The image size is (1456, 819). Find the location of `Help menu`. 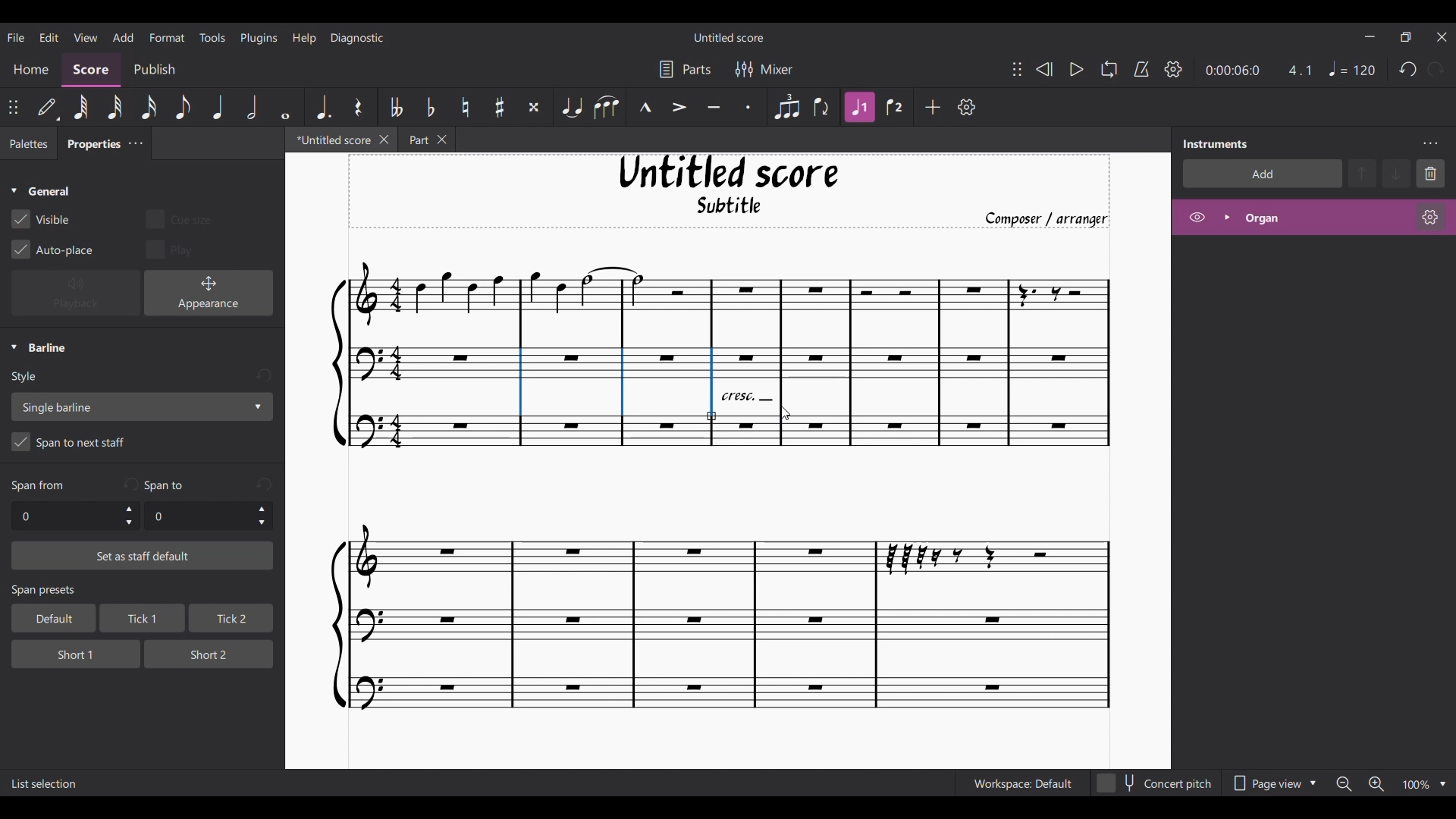

Help menu is located at coordinates (304, 37).